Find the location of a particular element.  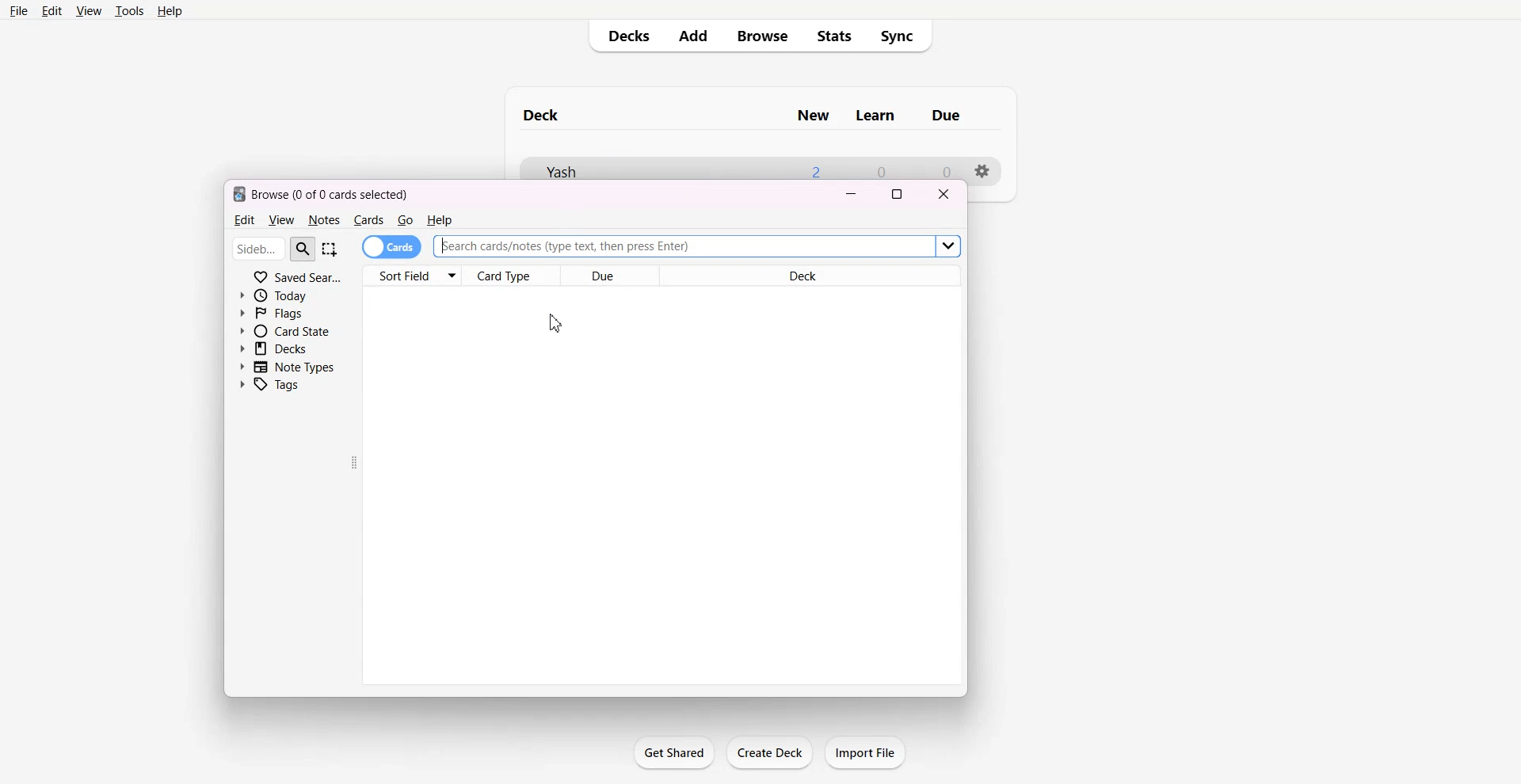

View is located at coordinates (281, 220).